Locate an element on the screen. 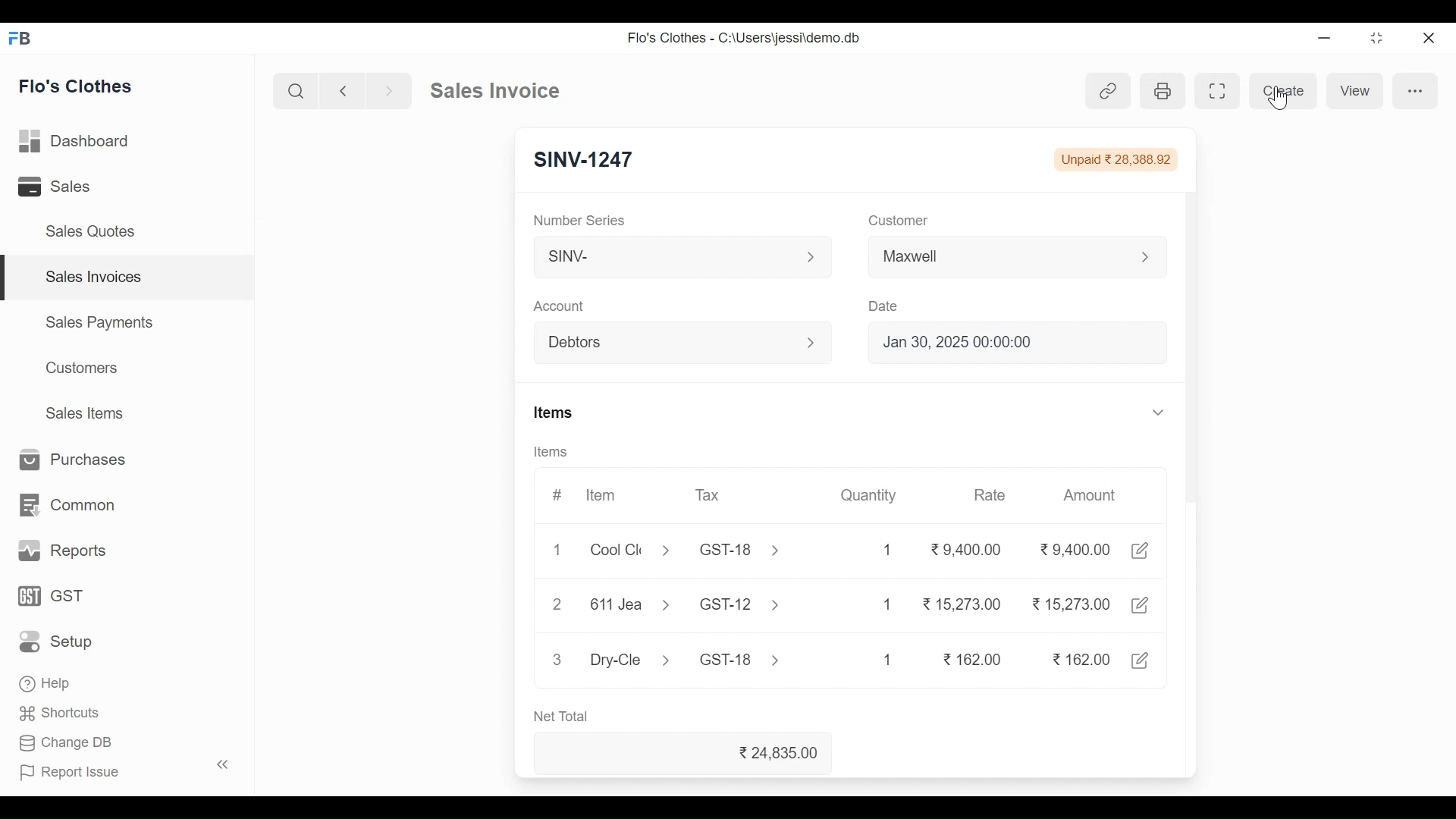  9,400.00 is located at coordinates (966, 546).